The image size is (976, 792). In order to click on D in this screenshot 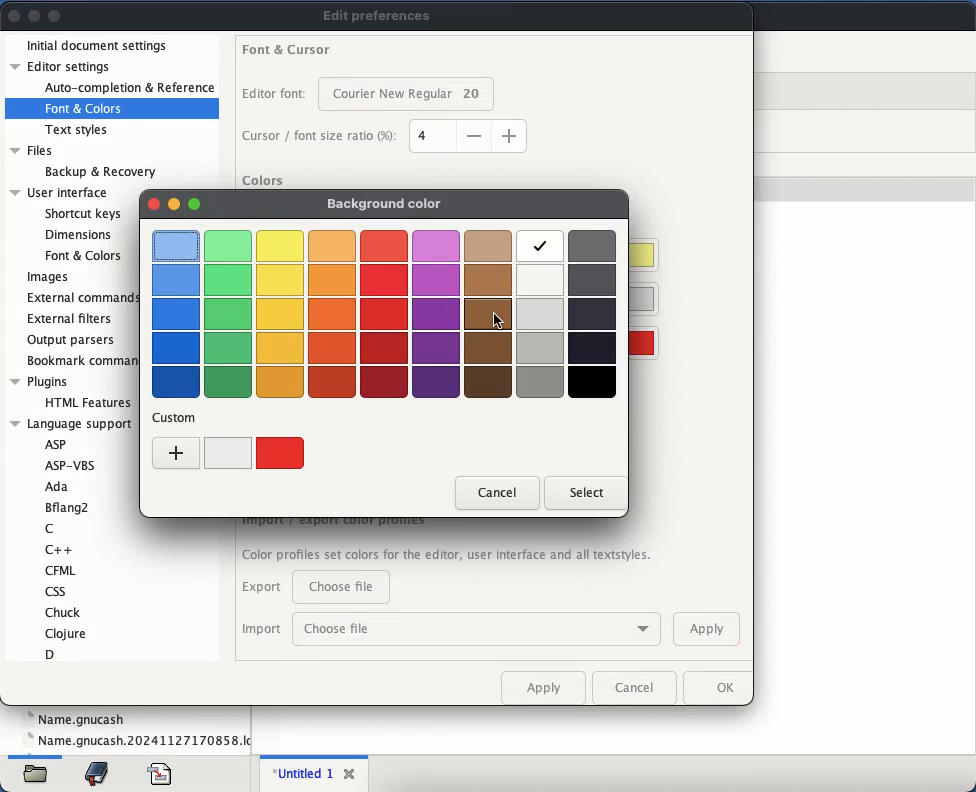, I will do `click(54, 655)`.